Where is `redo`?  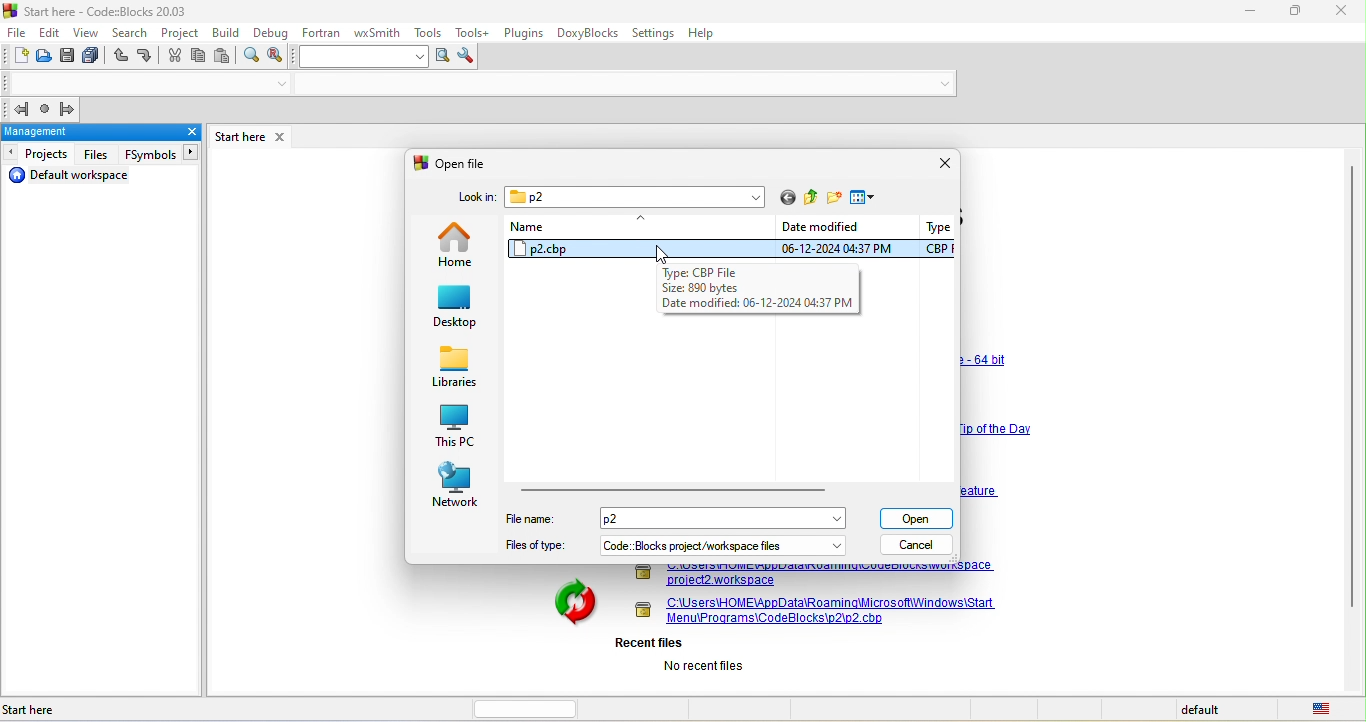 redo is located at coordinates (147, 56).